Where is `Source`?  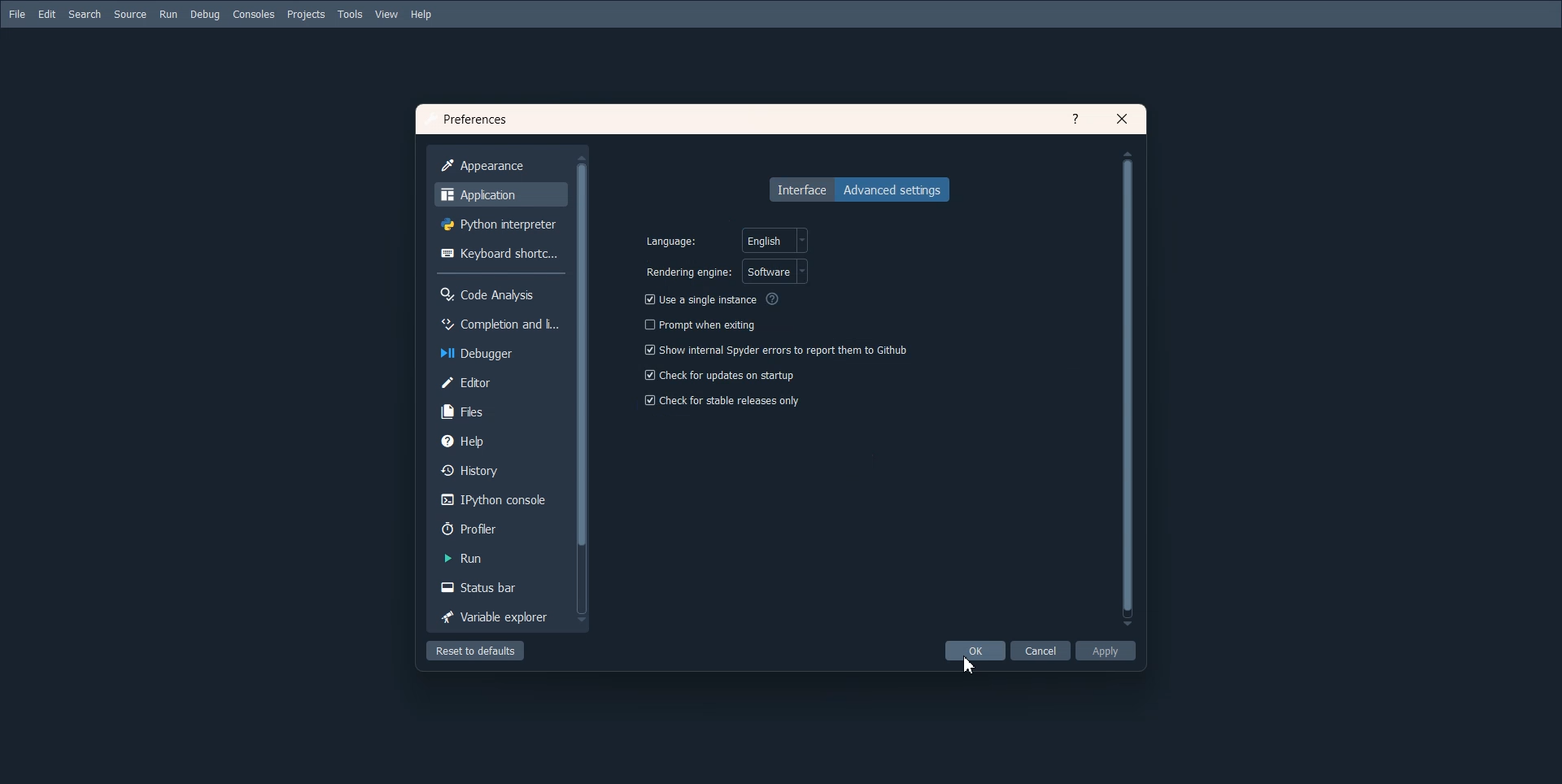
Source is located at coordinates (131, 15).